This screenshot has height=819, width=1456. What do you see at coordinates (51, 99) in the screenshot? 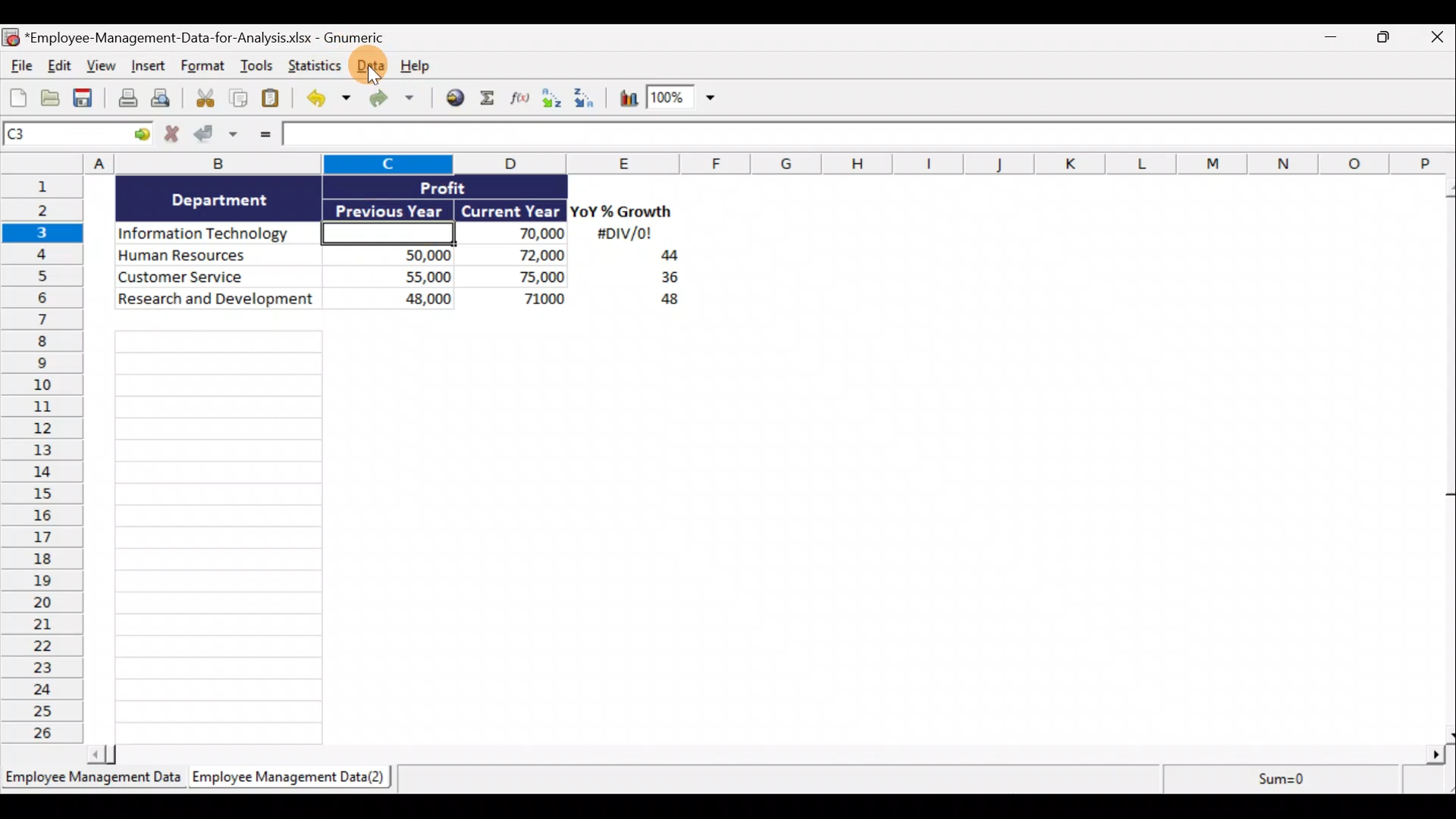
I see `Open a file` at bounding box center [51, 99].